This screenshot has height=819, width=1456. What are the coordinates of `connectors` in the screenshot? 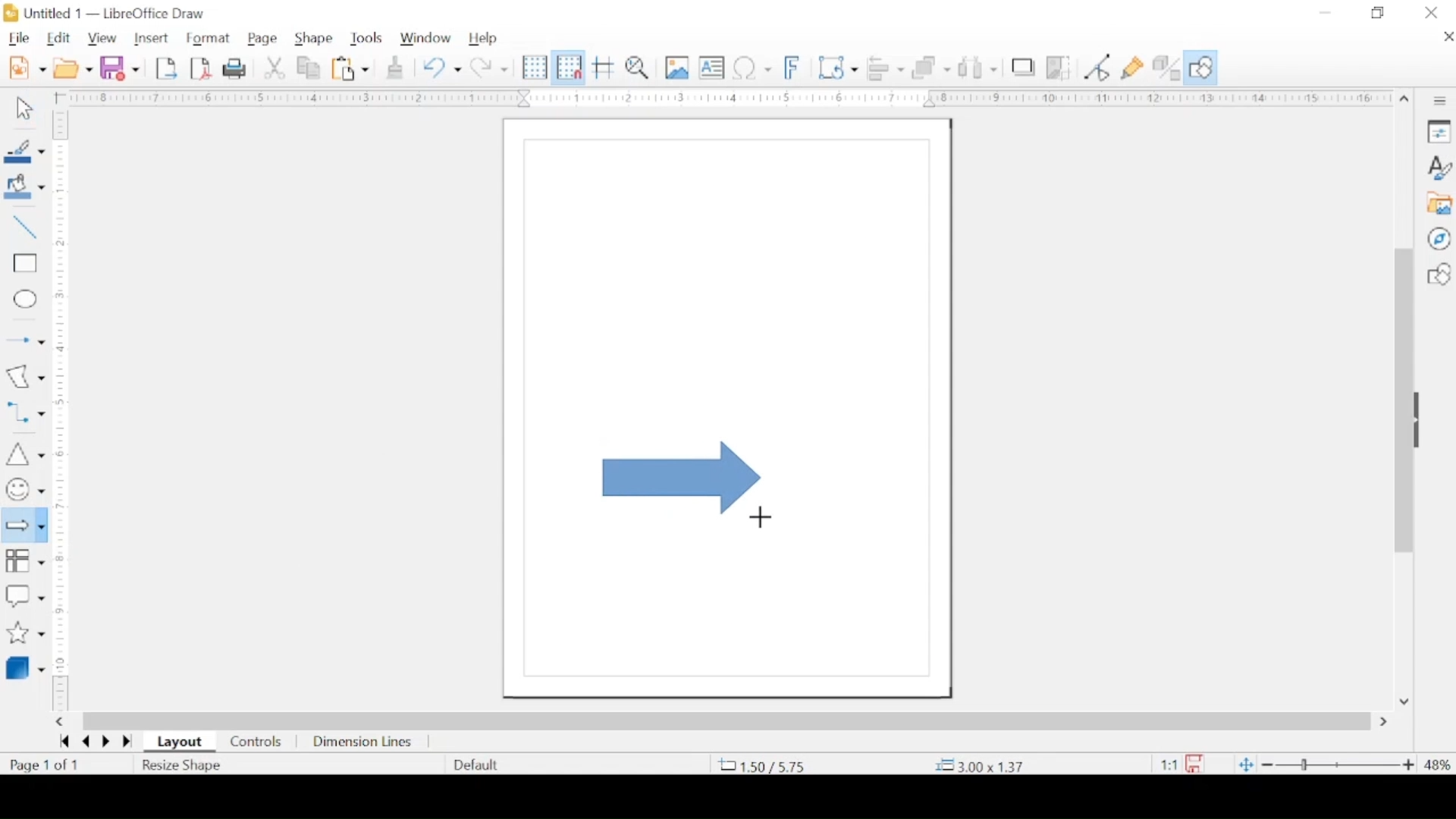 It's located at (25, 413).